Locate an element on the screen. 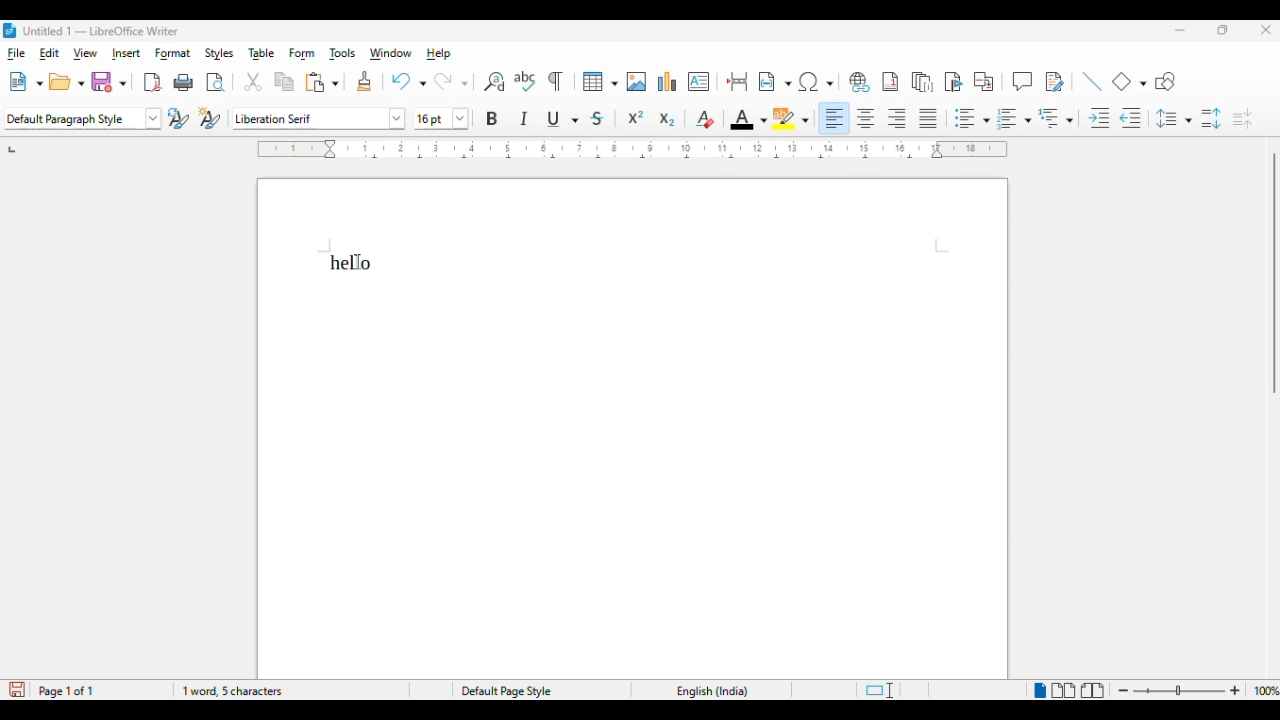  the document has been modified is located at coordinates (17, 690).